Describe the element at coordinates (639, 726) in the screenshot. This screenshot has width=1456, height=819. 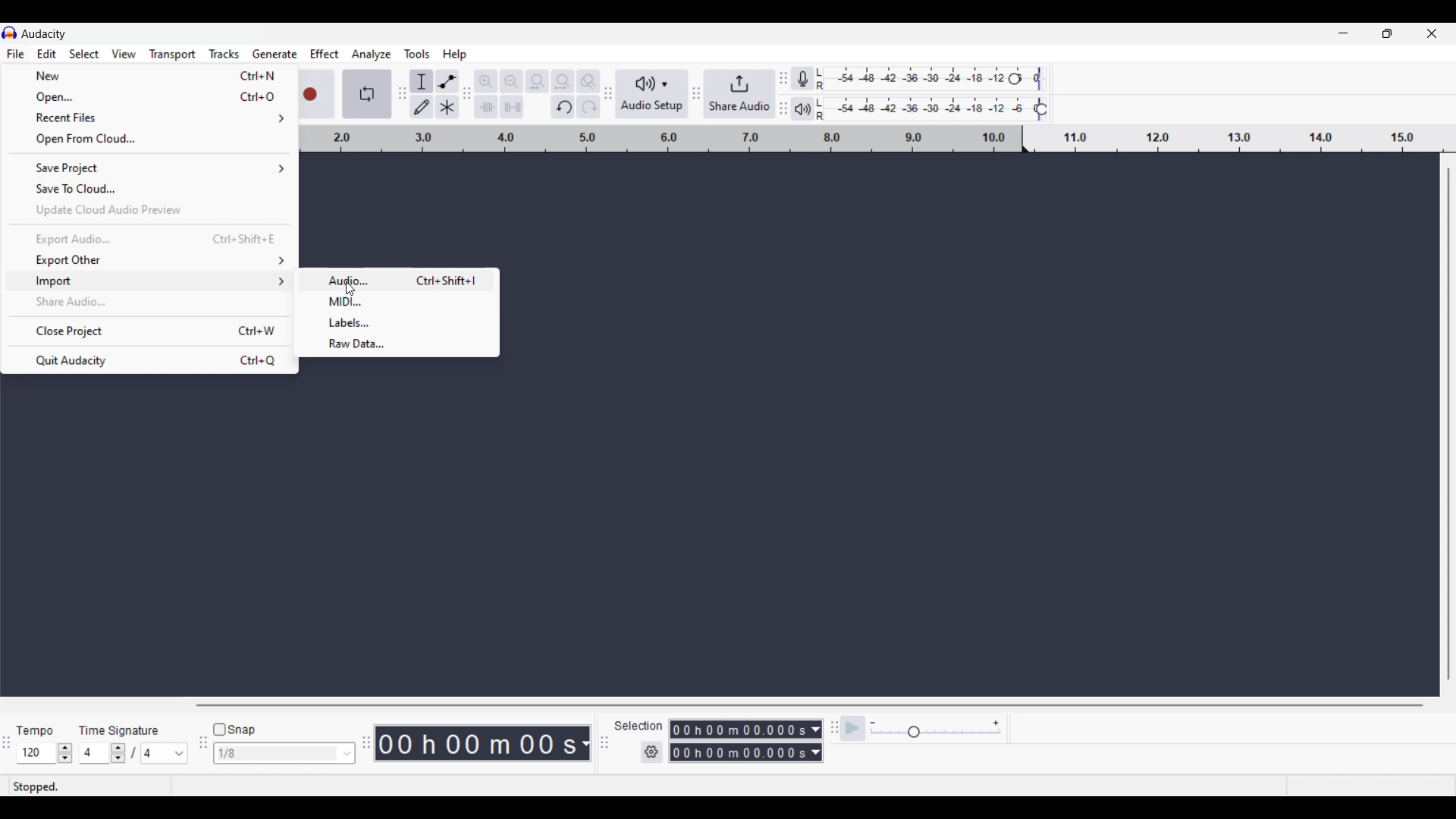
I see `Selection` at that location.